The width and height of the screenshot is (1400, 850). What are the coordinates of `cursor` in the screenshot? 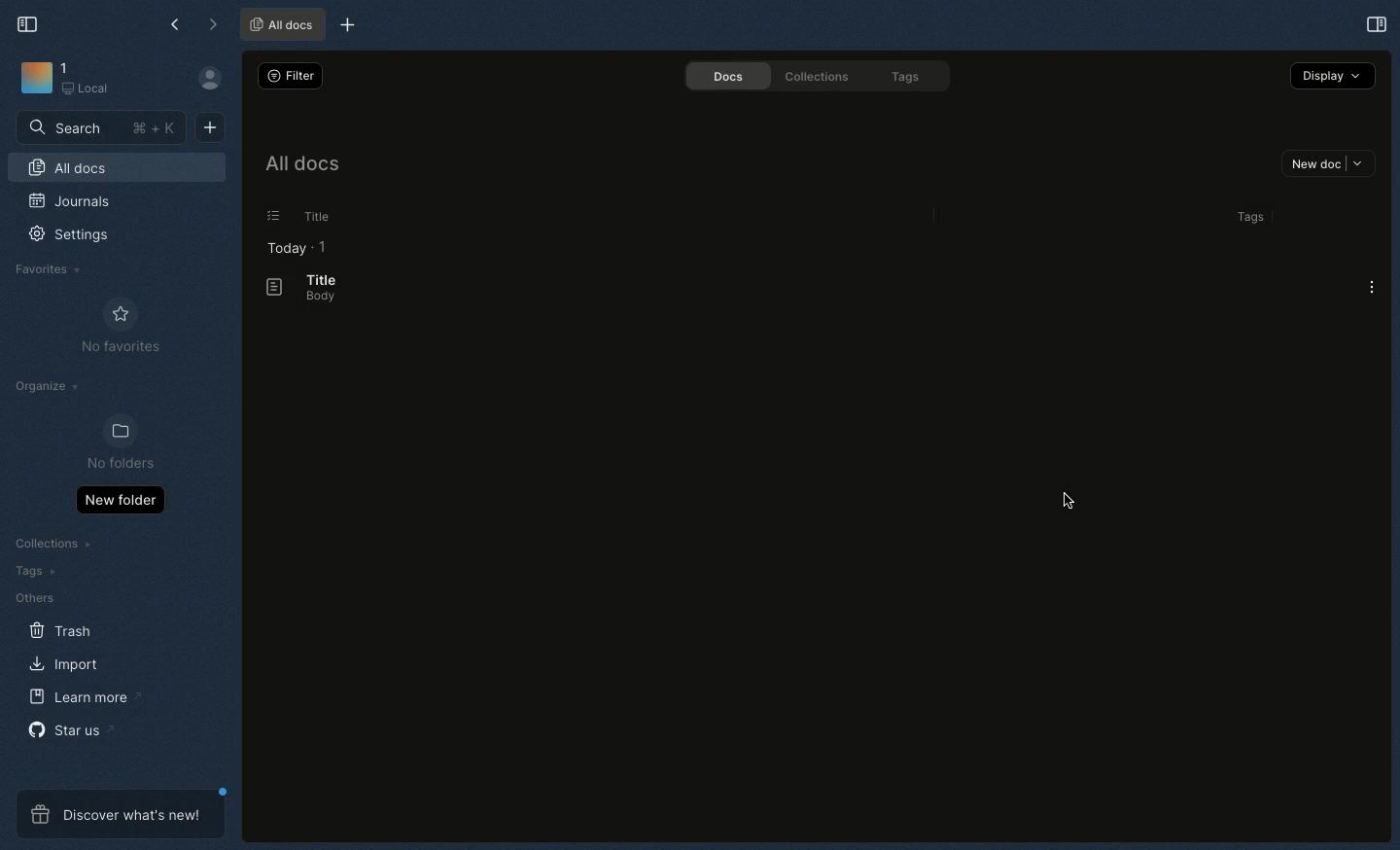 It's located at (1071, 505).